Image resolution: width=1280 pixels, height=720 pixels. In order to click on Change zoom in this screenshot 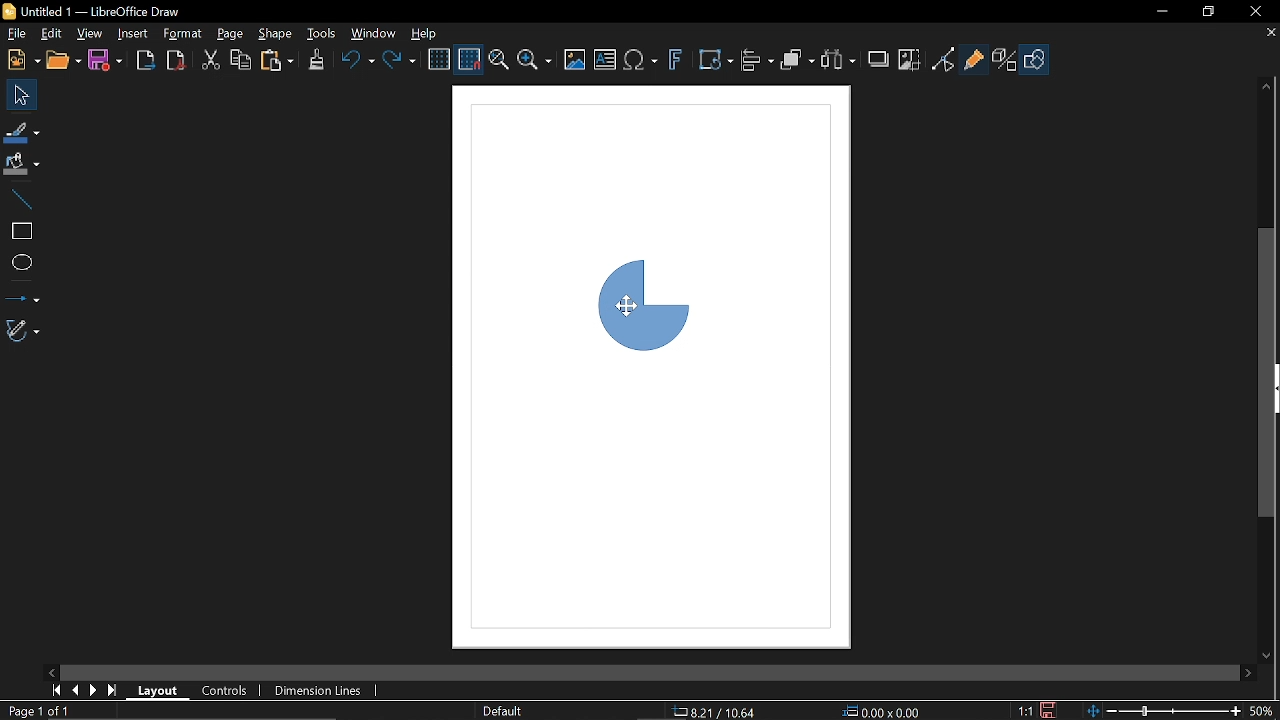, I will do `click(1162, 711)`.